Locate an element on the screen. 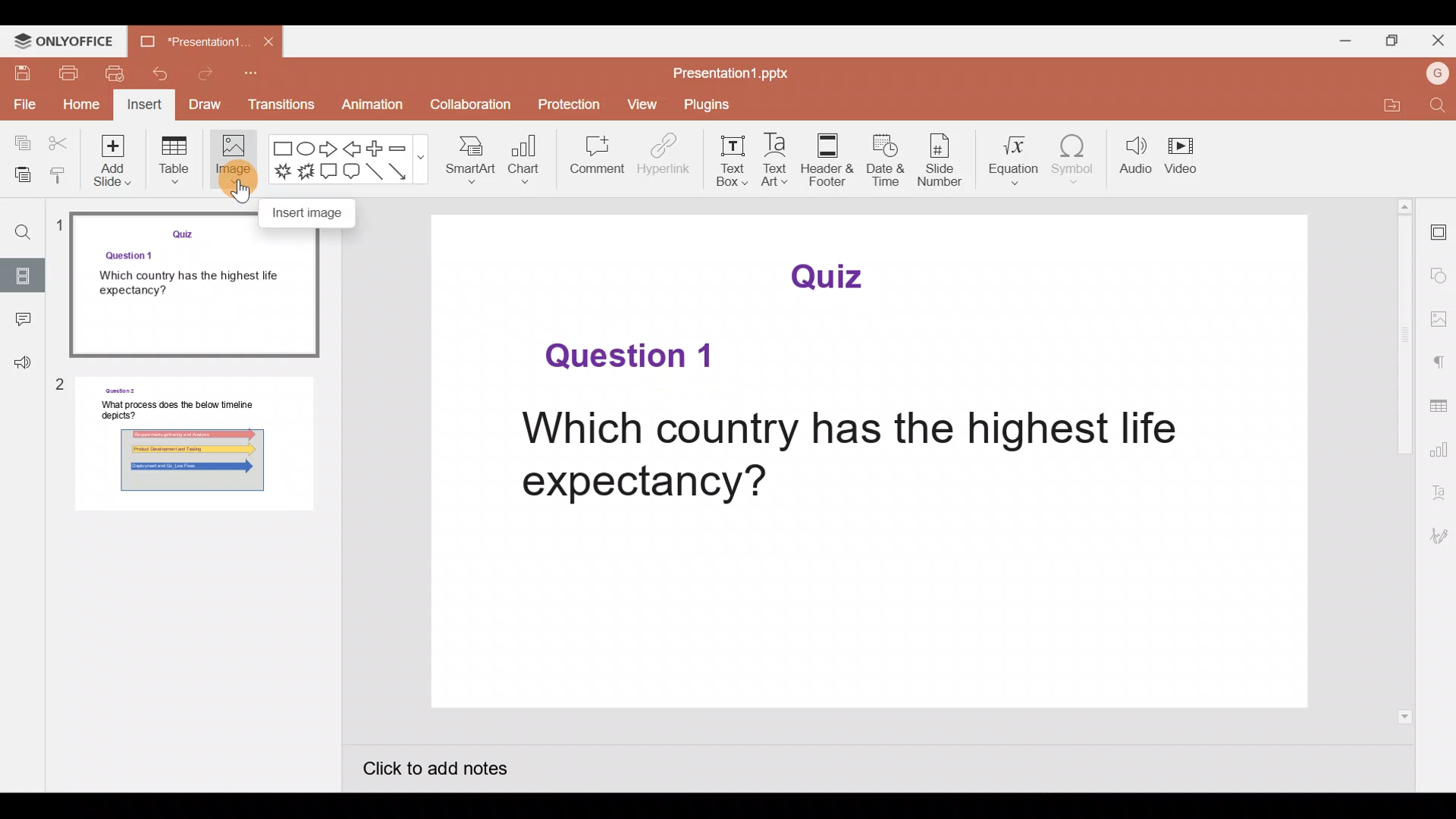 The width and height of the screenshot is (1456, 819). Presentation1.pptx is located at coordinates (733, 76).